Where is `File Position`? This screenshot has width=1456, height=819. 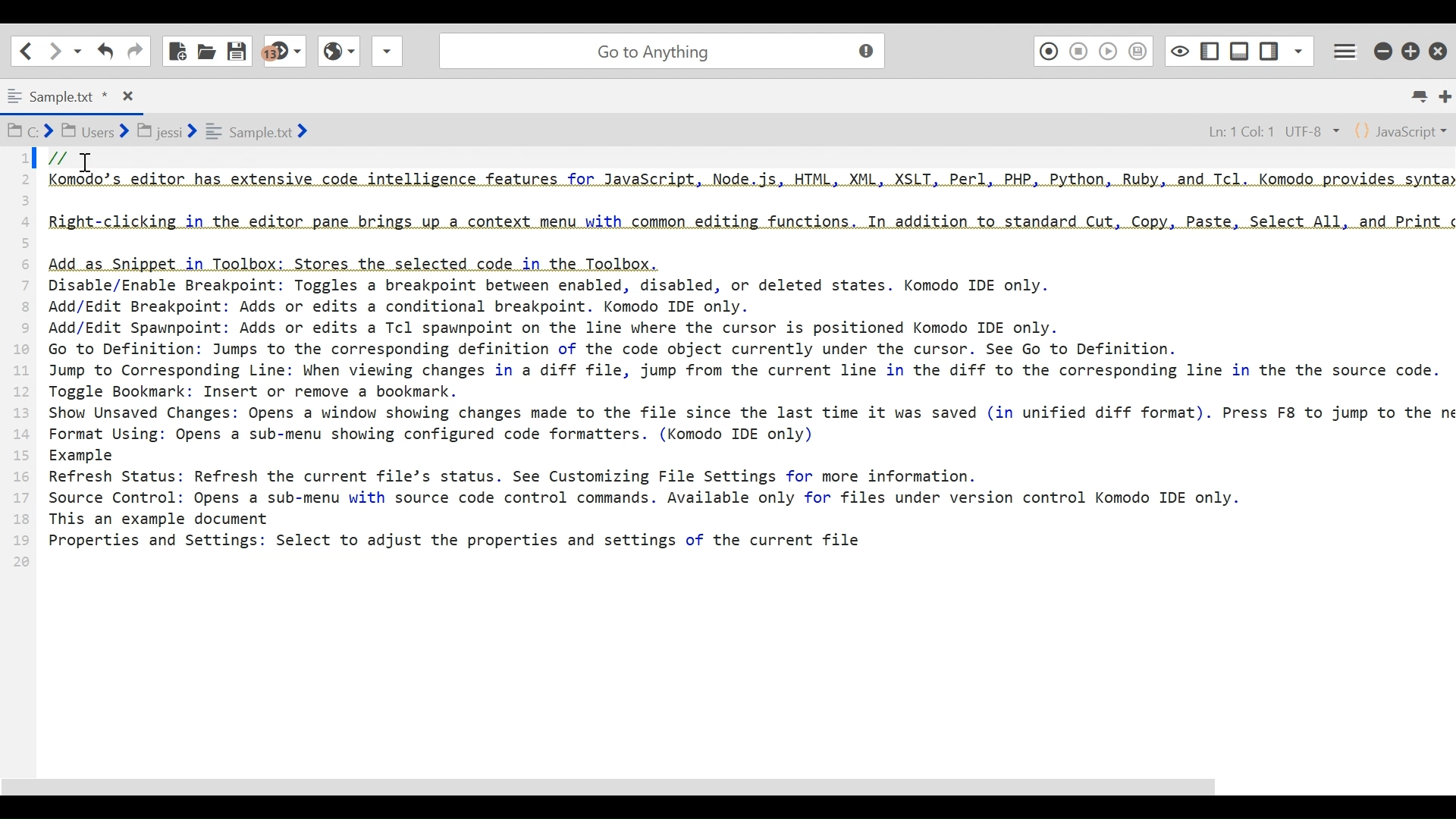 File Position is located at coordinates (1263, 129).